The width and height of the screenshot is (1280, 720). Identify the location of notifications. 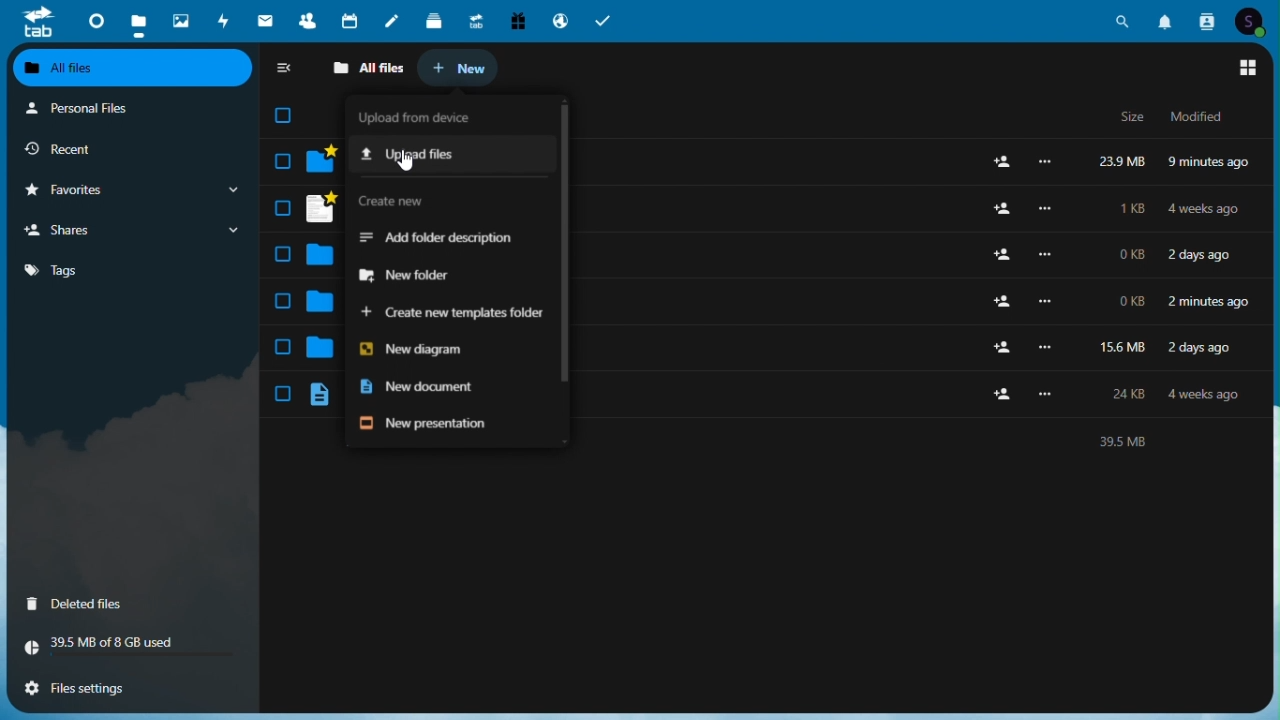
(1169, 19).